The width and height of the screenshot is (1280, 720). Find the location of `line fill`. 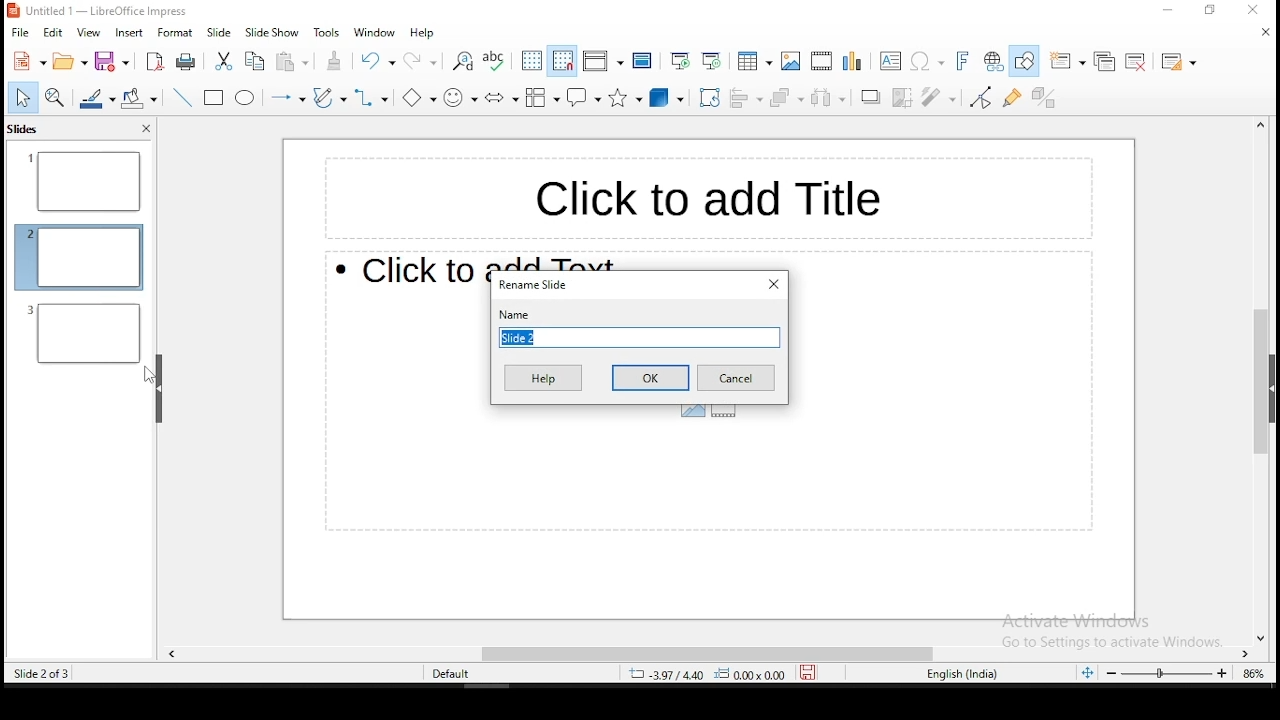

line fill is located at coordinates (95, 98).